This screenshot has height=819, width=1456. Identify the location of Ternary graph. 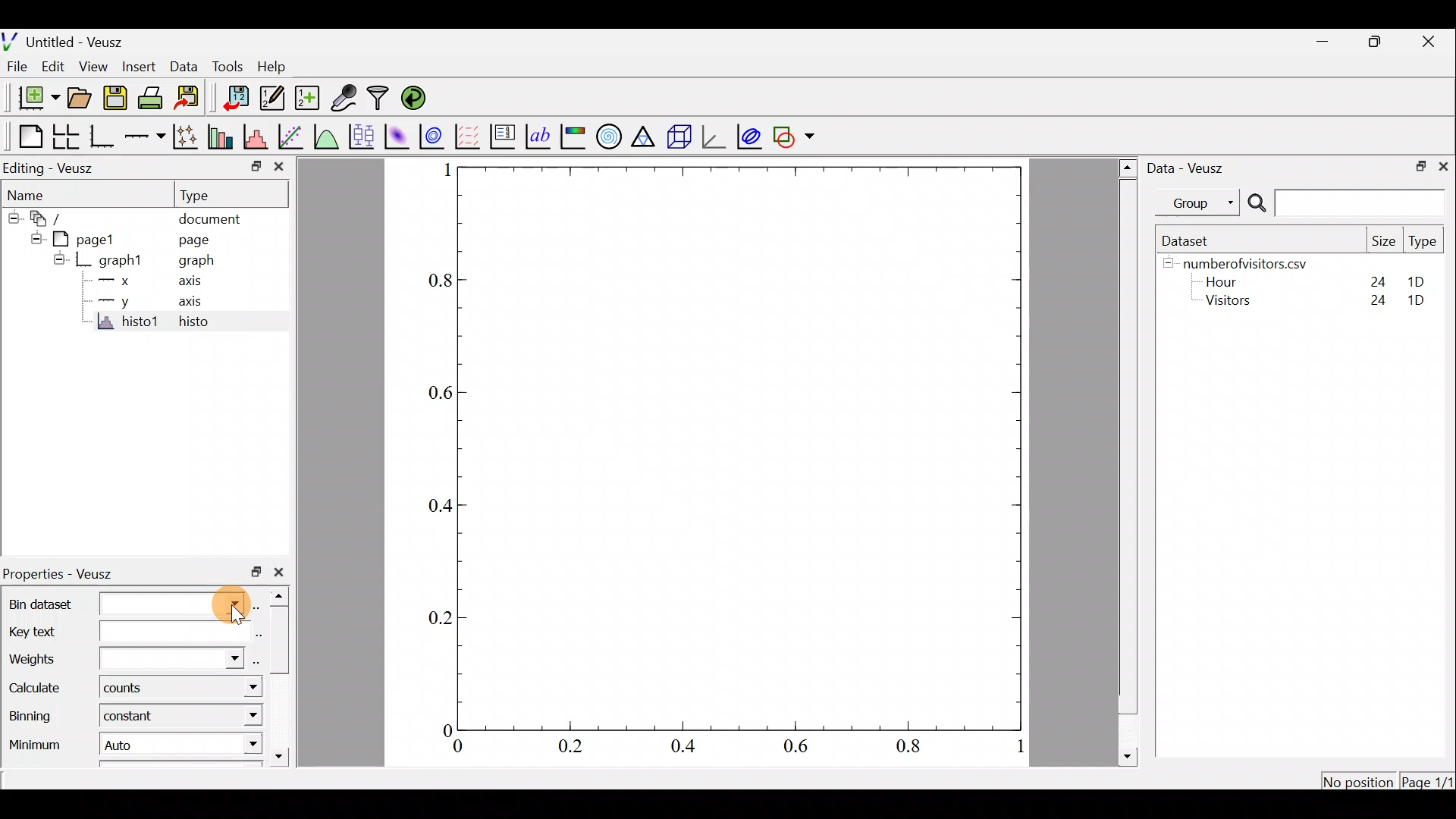
(642, 138).